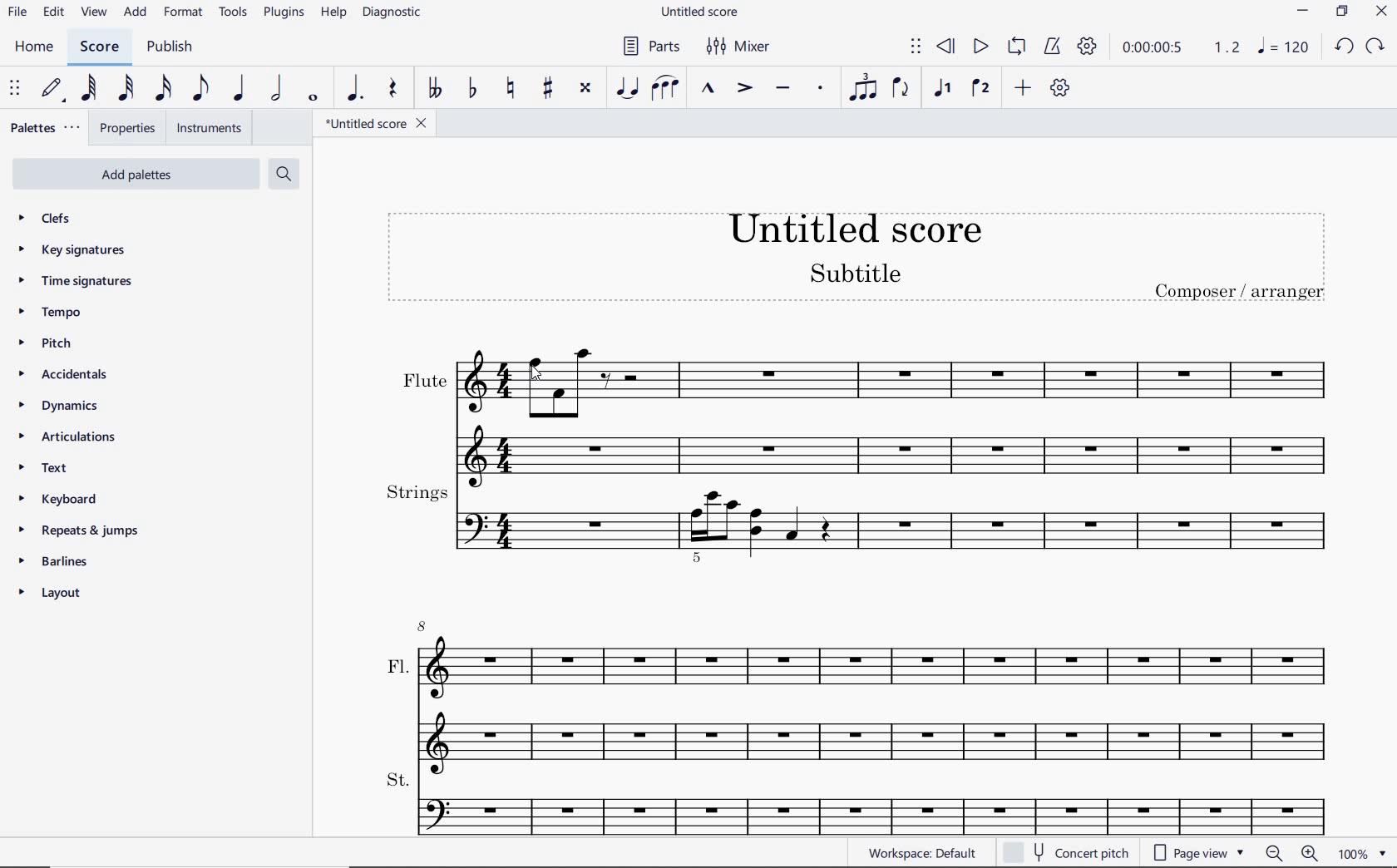 This screenshot has height=868, width=1397. Describe the element at coordinates (239, 91) in the screenshot. I see `QUARTER NOTE` at that location.